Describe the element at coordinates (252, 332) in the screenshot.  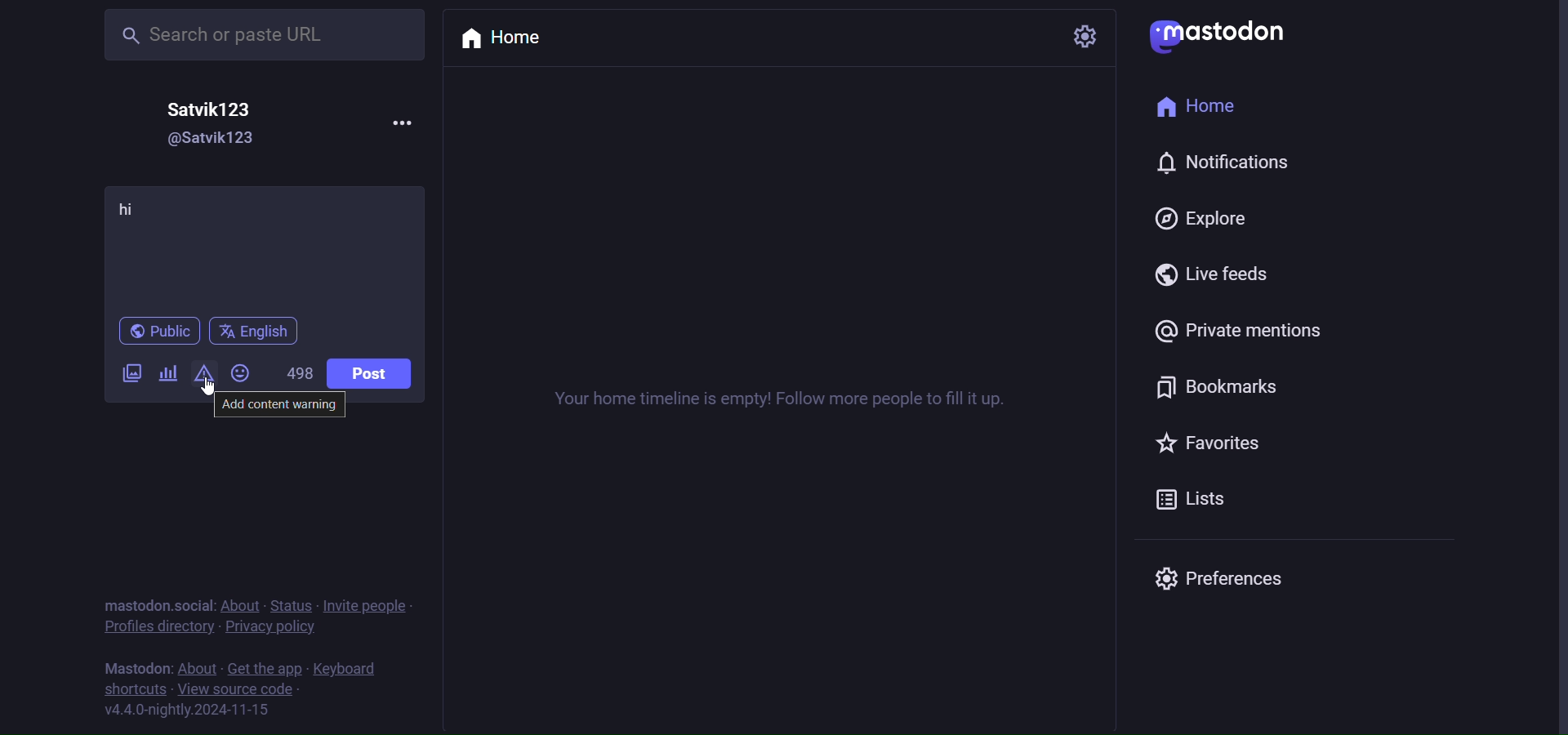
I see `english` at that location.